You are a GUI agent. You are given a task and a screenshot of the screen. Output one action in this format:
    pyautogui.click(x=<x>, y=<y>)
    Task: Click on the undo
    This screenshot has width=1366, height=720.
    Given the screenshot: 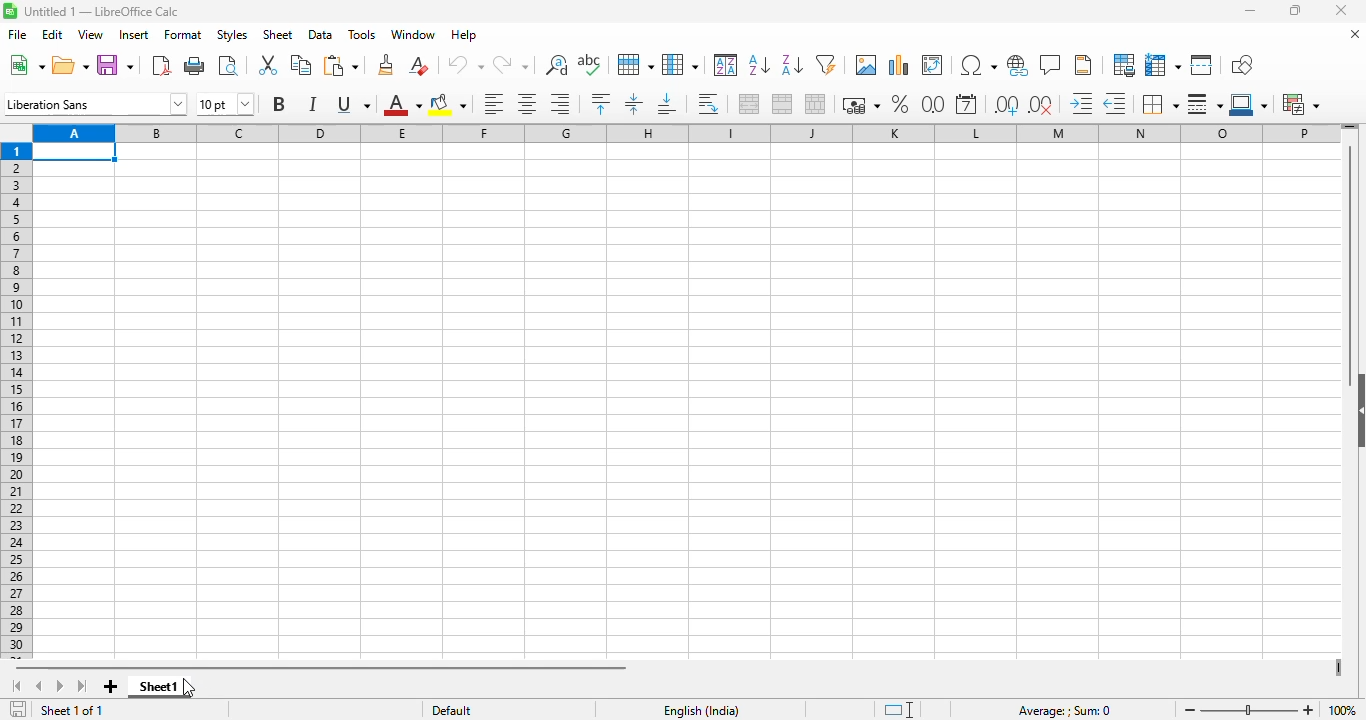 What is the action you would take?
    pyautogui.click(x=463, y=65)
    